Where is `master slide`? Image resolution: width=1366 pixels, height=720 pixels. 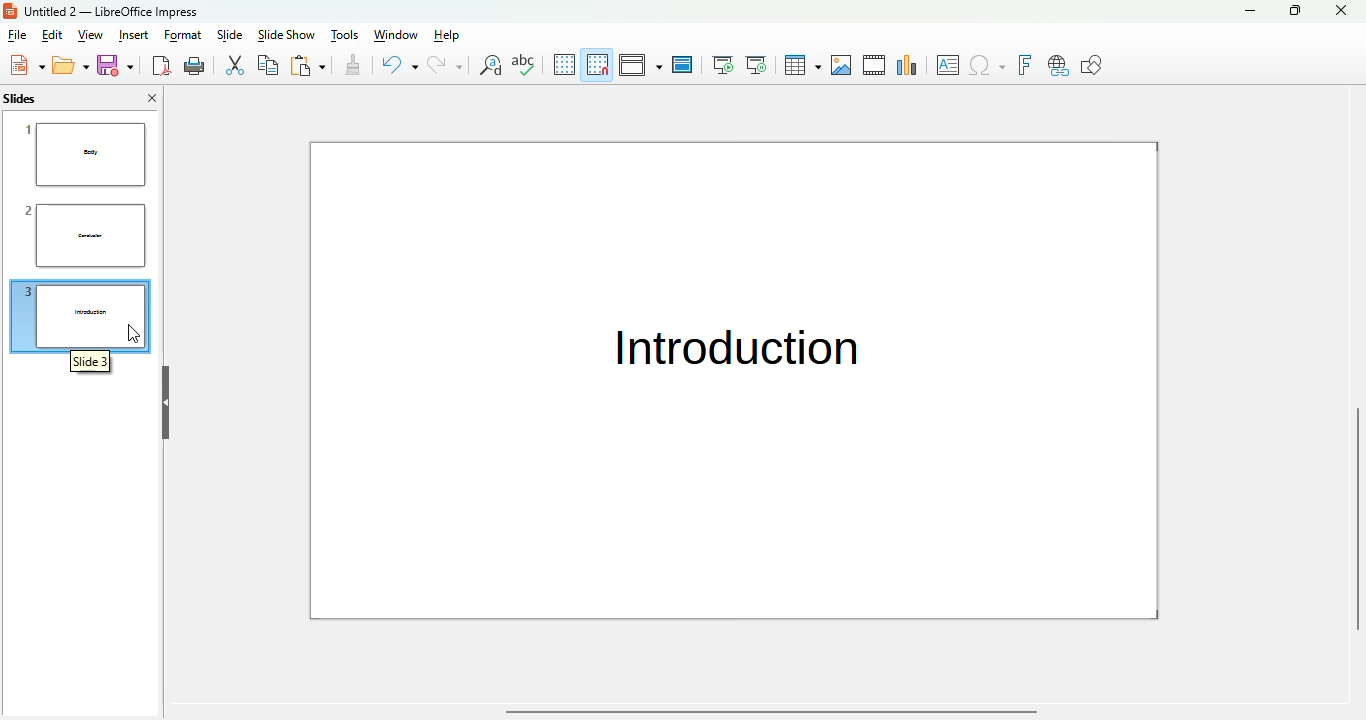
master slide is located at coordinates (683, 64).